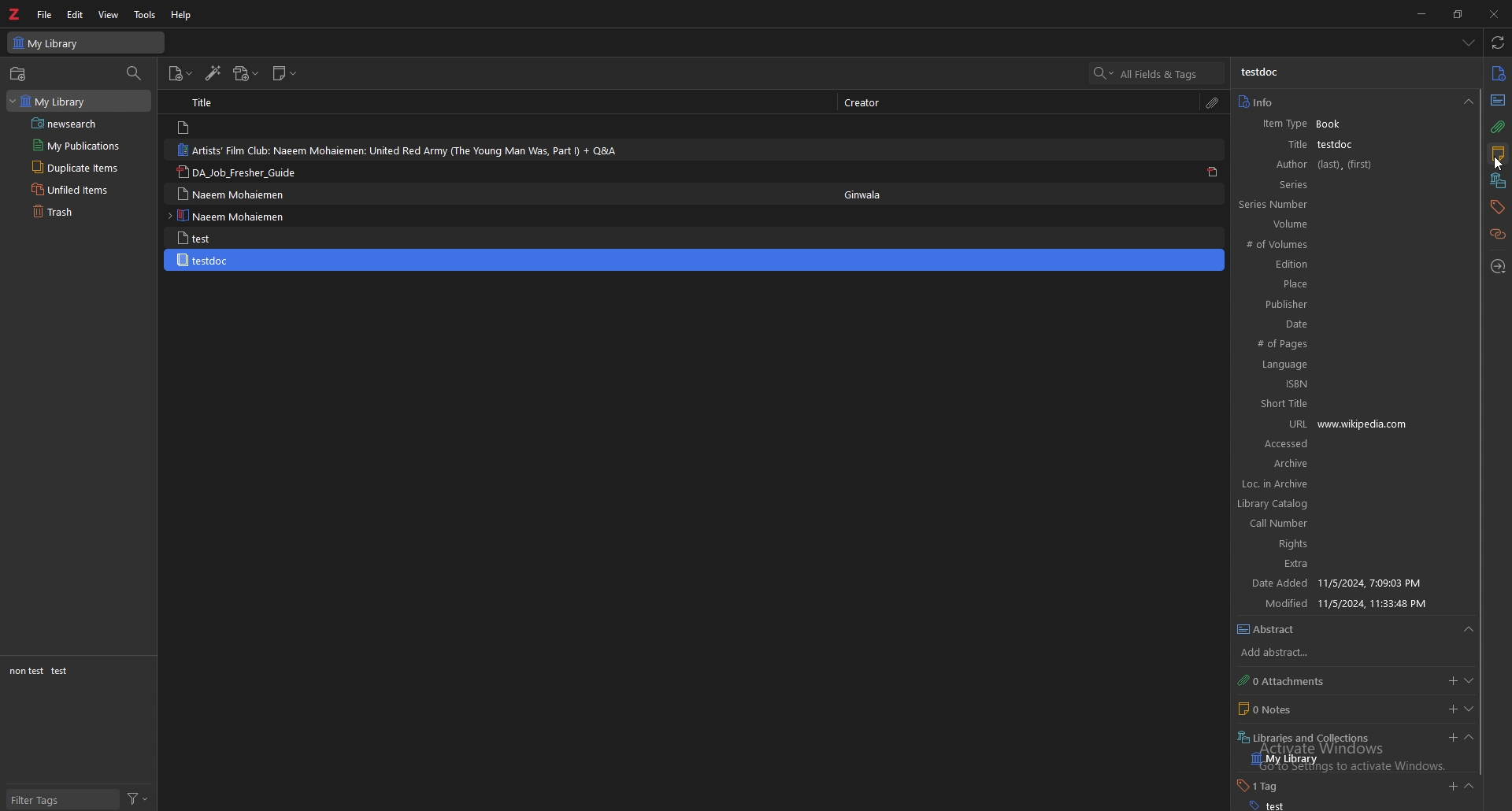 This screenshot has width=1512, height=811. I want to click on info, so click(1499, 72).